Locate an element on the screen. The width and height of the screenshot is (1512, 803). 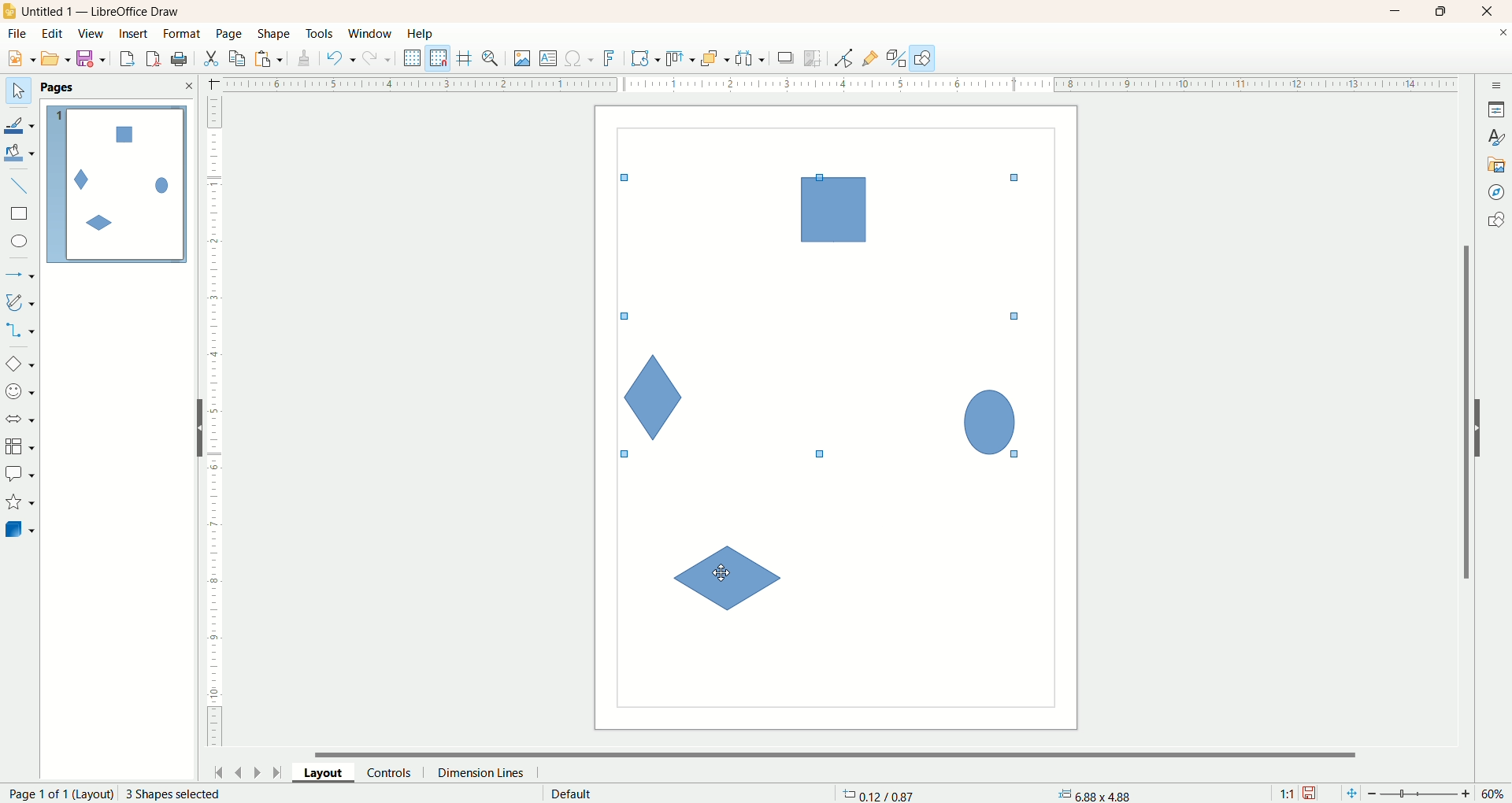
control is located at coordinates (396, 772).